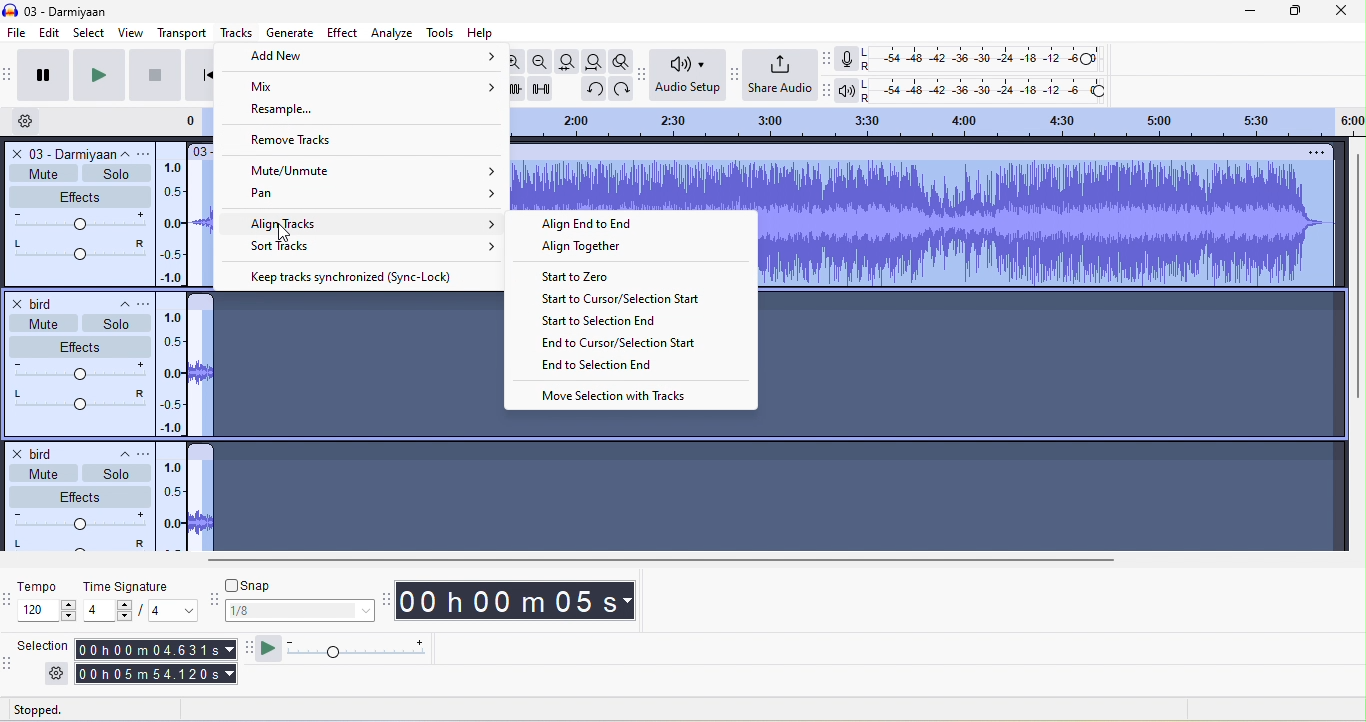  I want to click on selection, so click(46, 647).